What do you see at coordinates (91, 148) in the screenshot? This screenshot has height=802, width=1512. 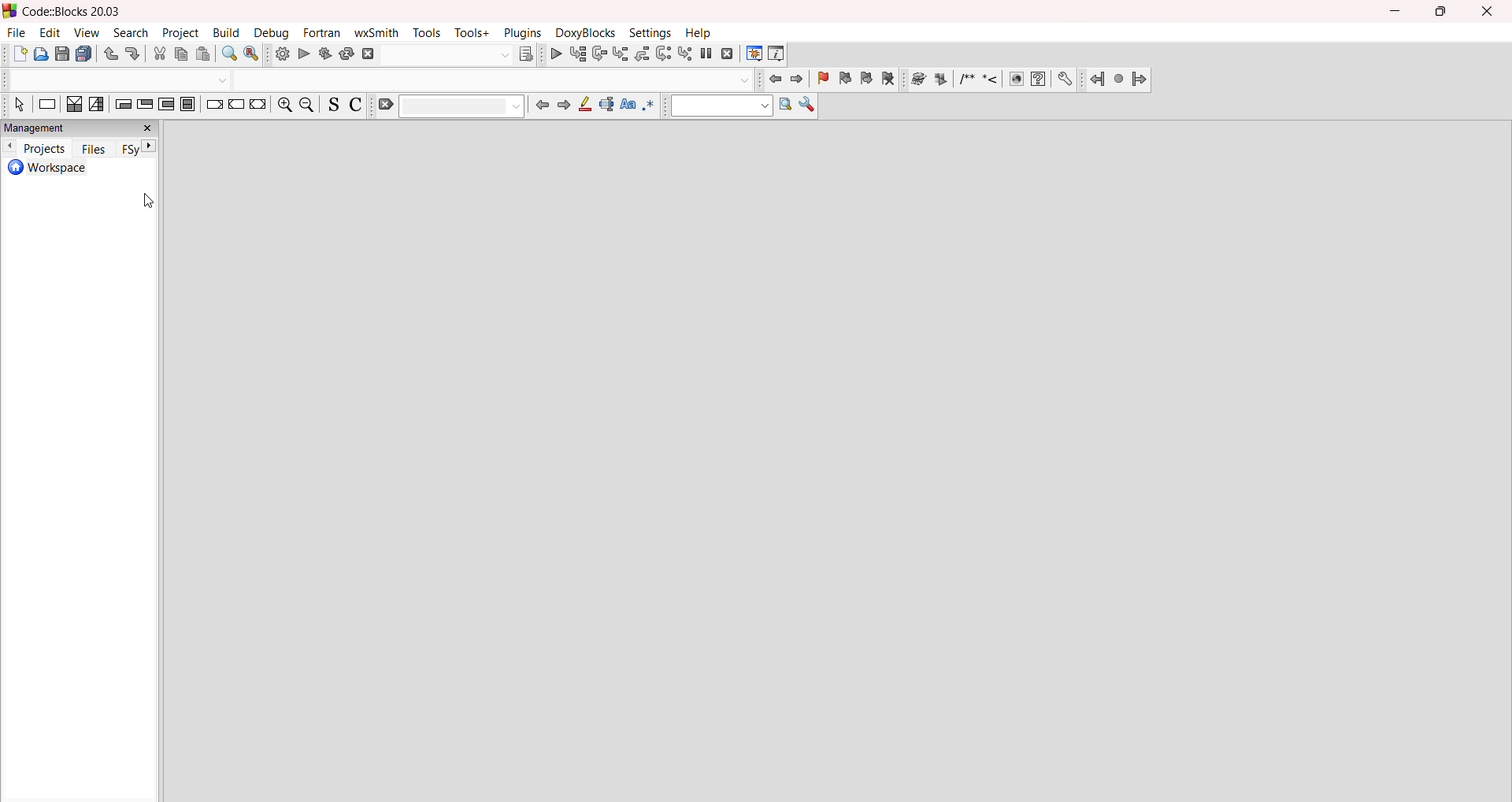 I see `files` at bounding box center [91, 148].